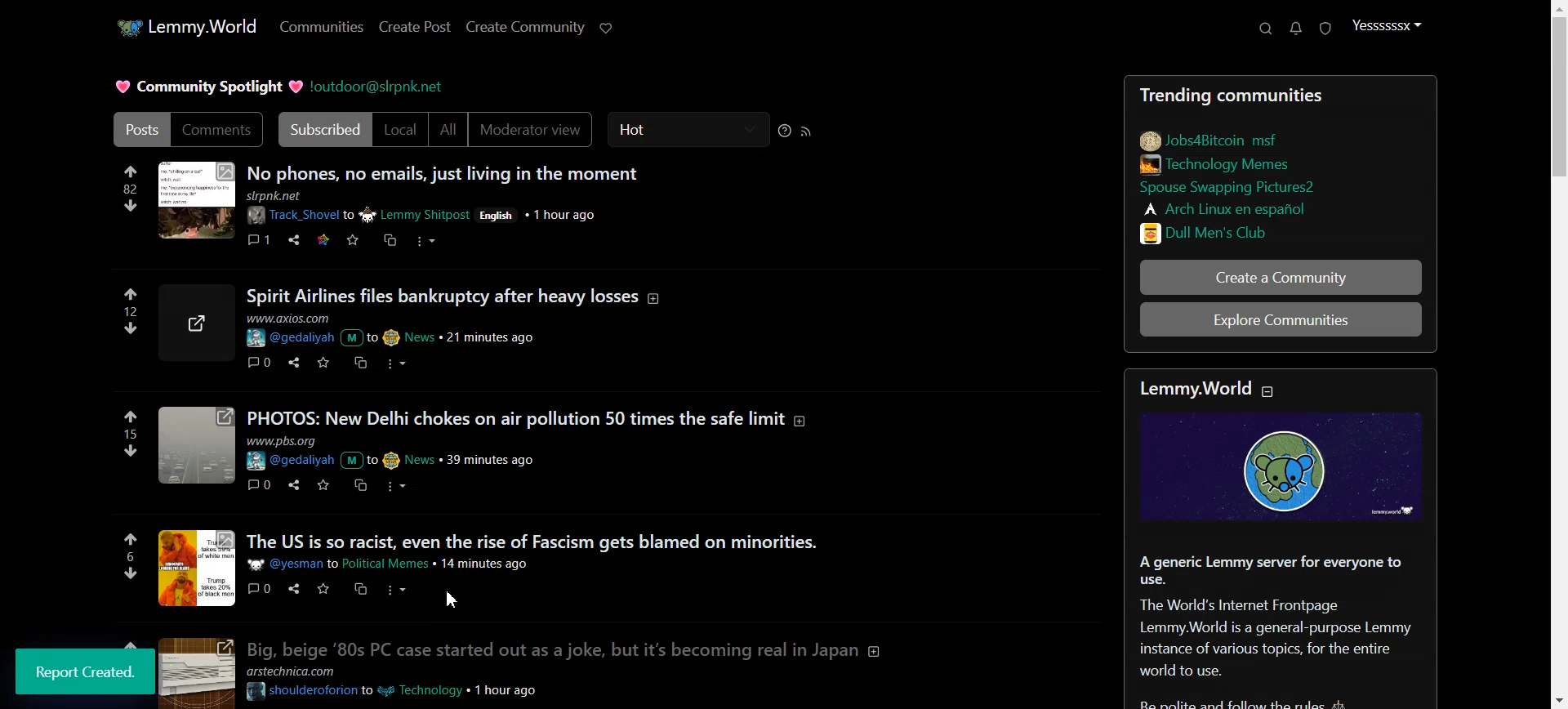 The height and width of the screenshot is (709, 1568). I want to click on link, so click(1250, 231).